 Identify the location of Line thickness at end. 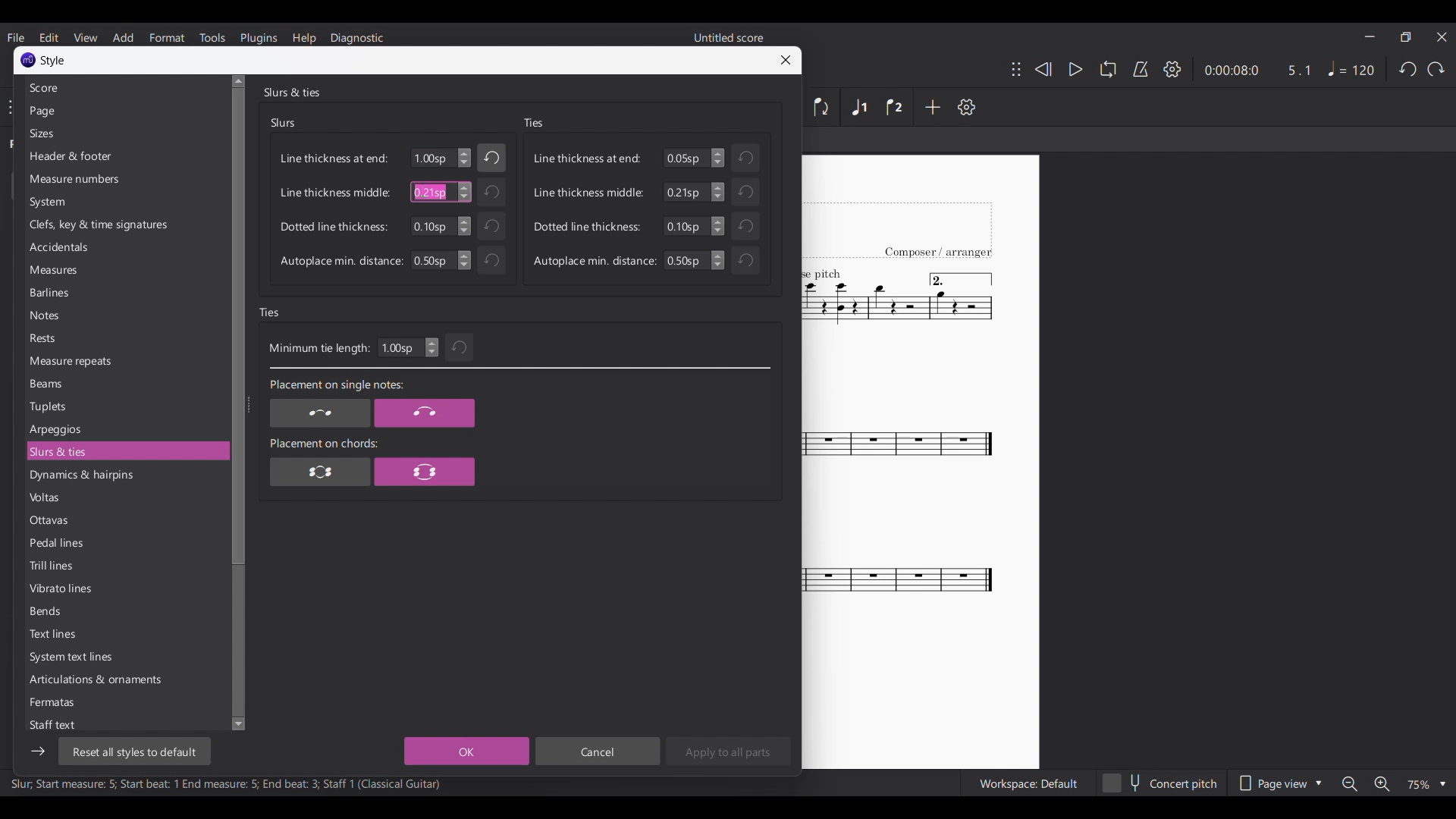
(588, 158).